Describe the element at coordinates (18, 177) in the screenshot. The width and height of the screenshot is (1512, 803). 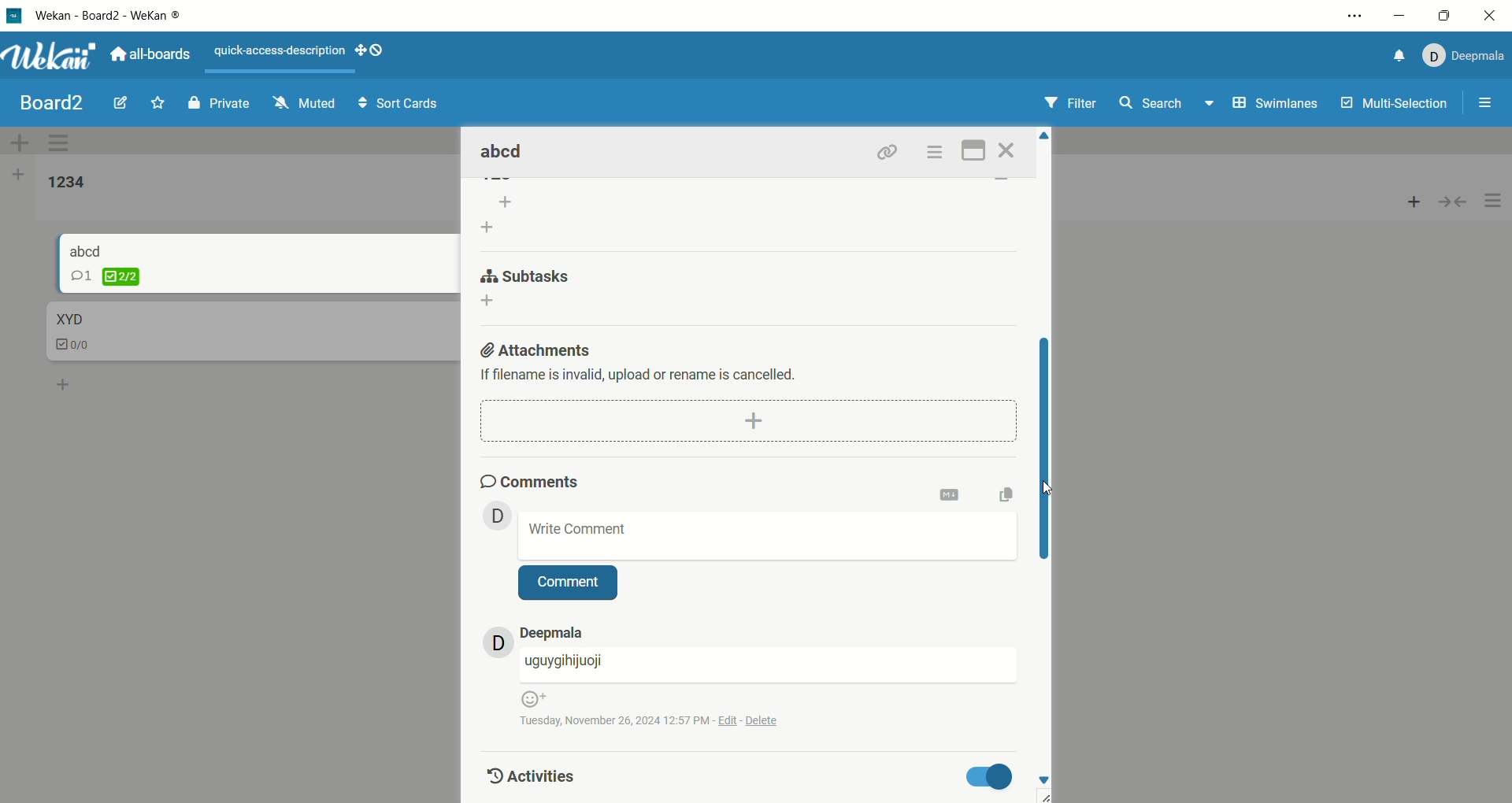
I see `add list` at that location.